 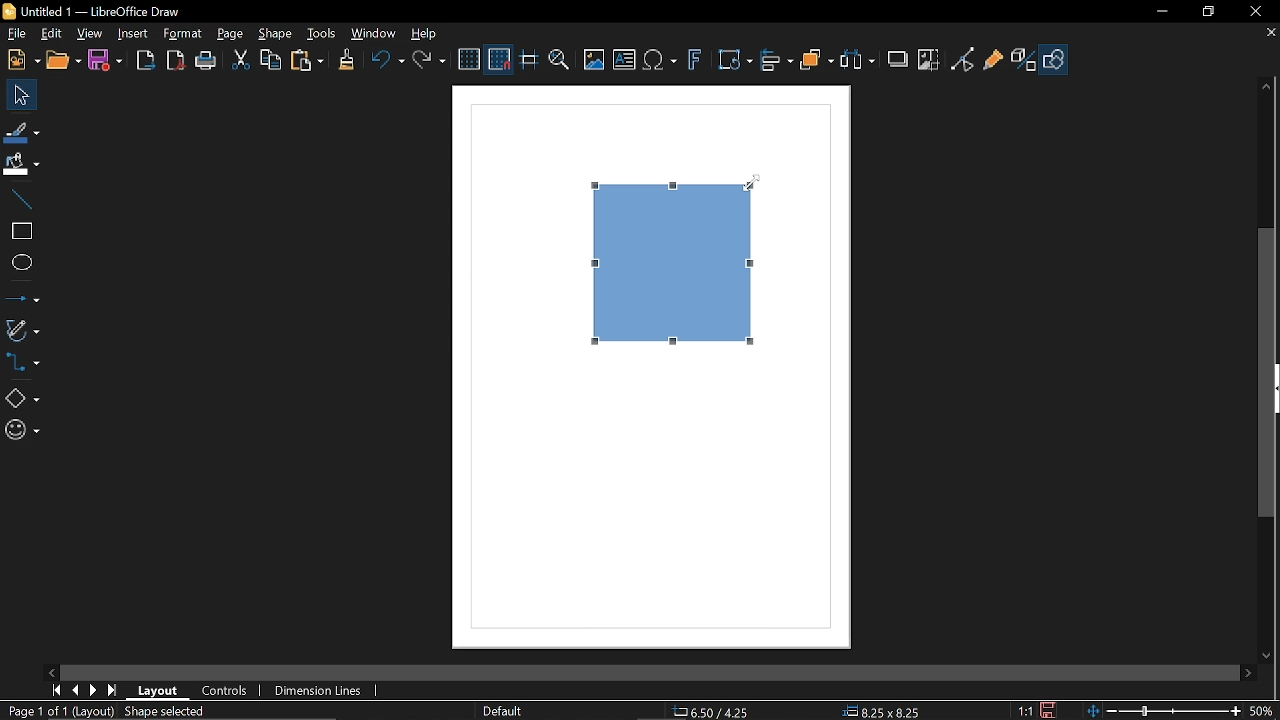 I want to click on Vertical scrollbar, so click(x=1268, y=374).